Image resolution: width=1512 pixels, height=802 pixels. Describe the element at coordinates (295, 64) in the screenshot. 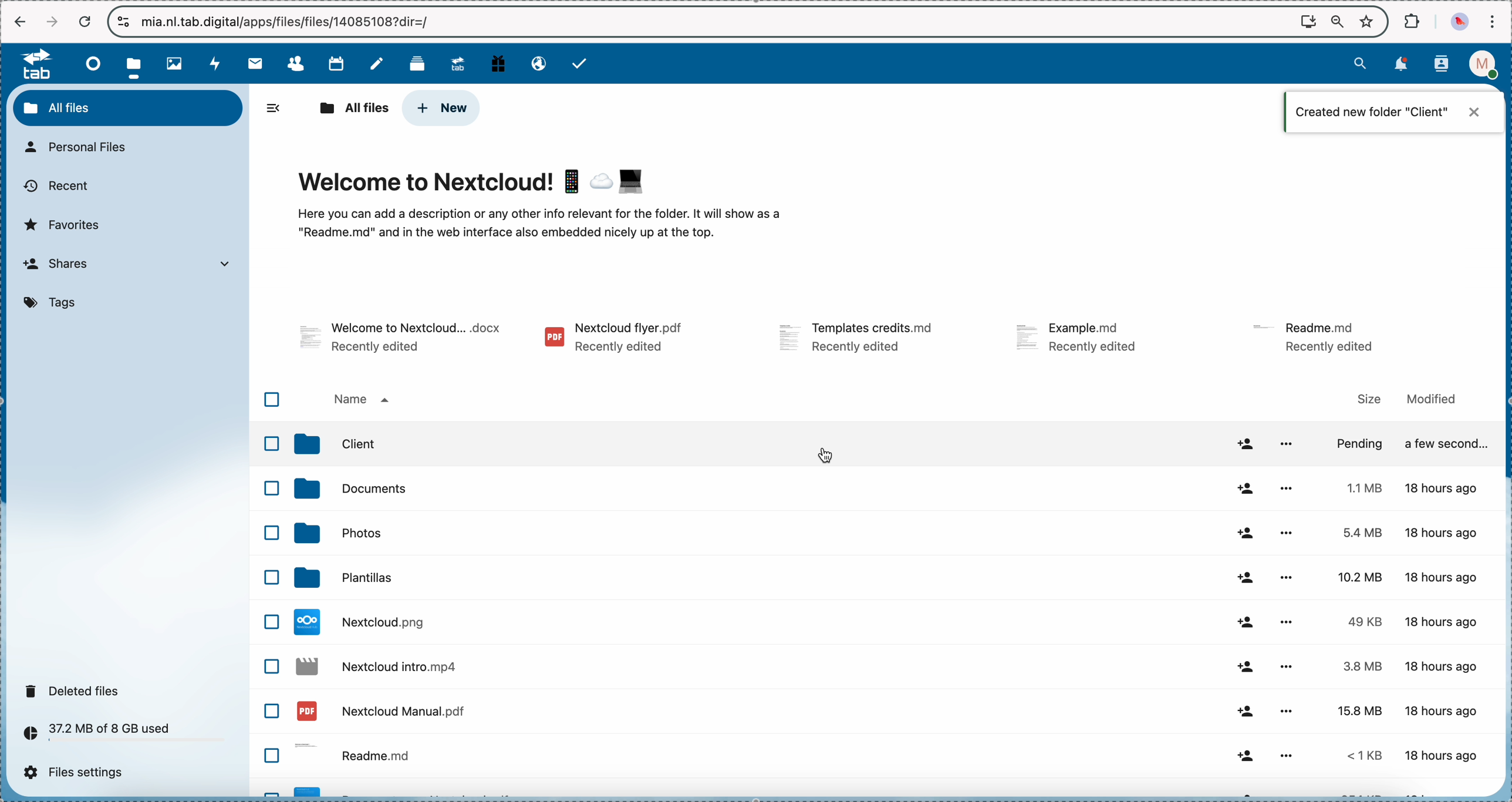

I see `contacts` at that location.